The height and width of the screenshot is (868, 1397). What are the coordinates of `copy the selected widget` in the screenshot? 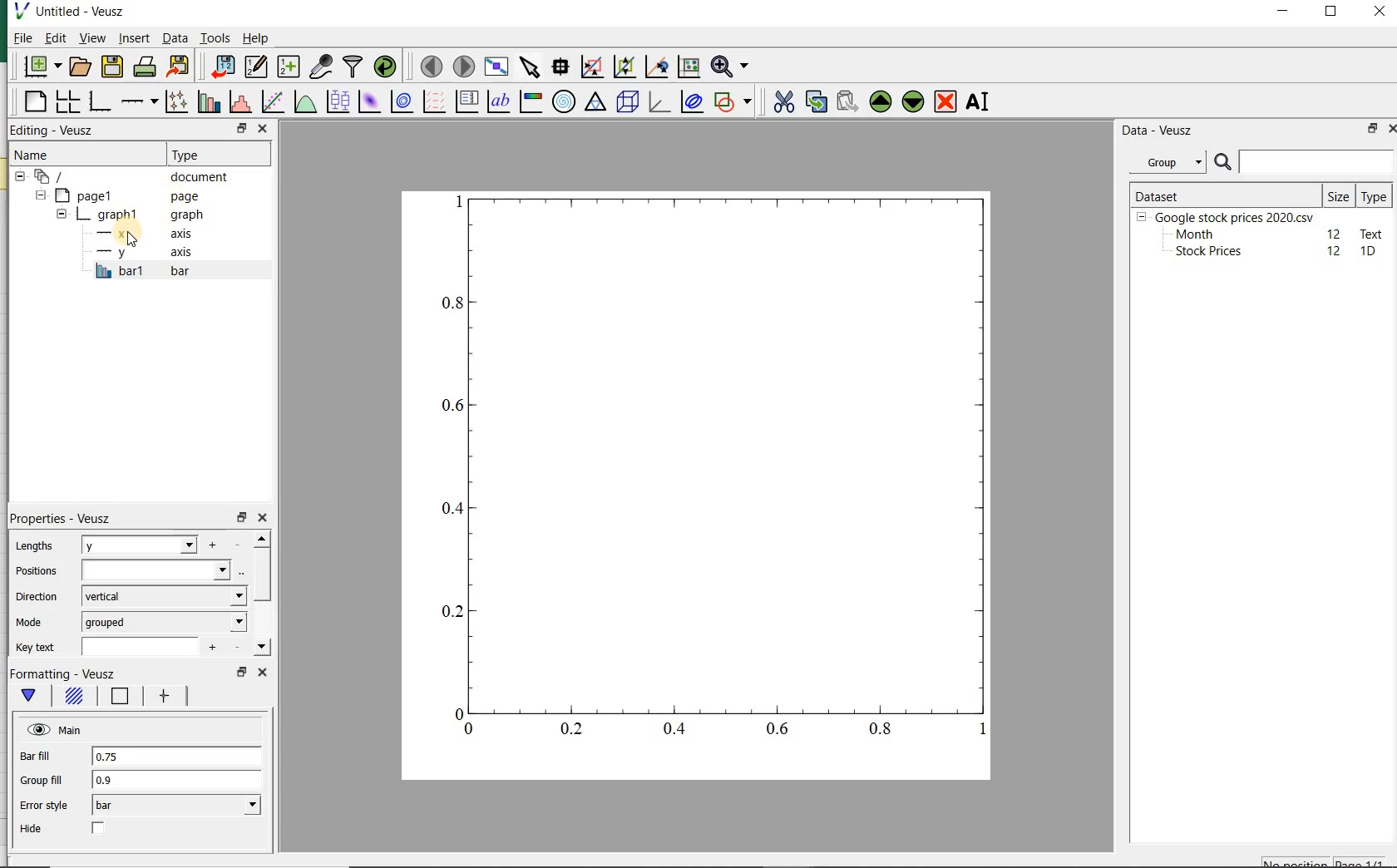 It's located at (815, 102).